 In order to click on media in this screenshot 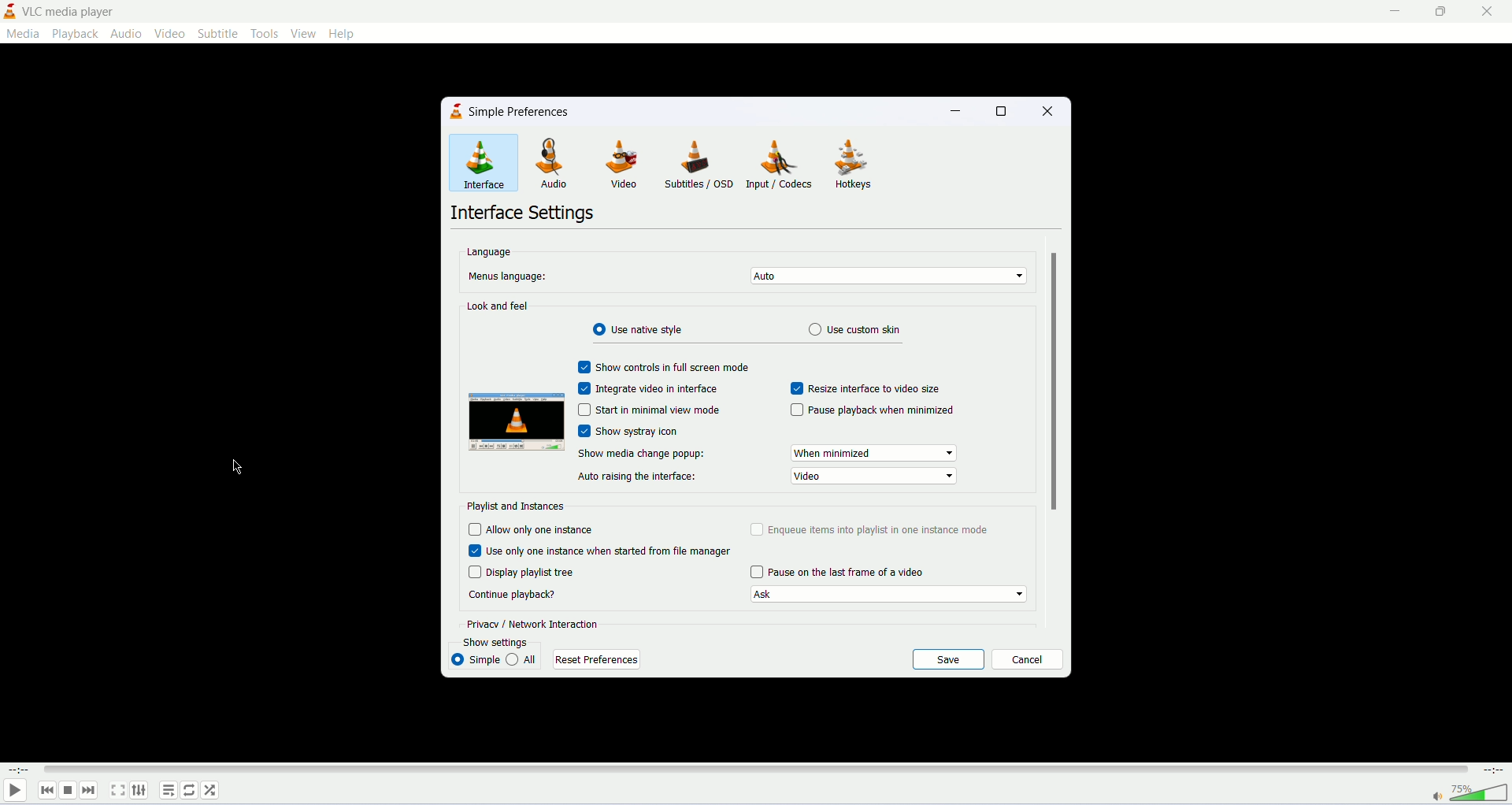, I will do `click(24, 34)`.